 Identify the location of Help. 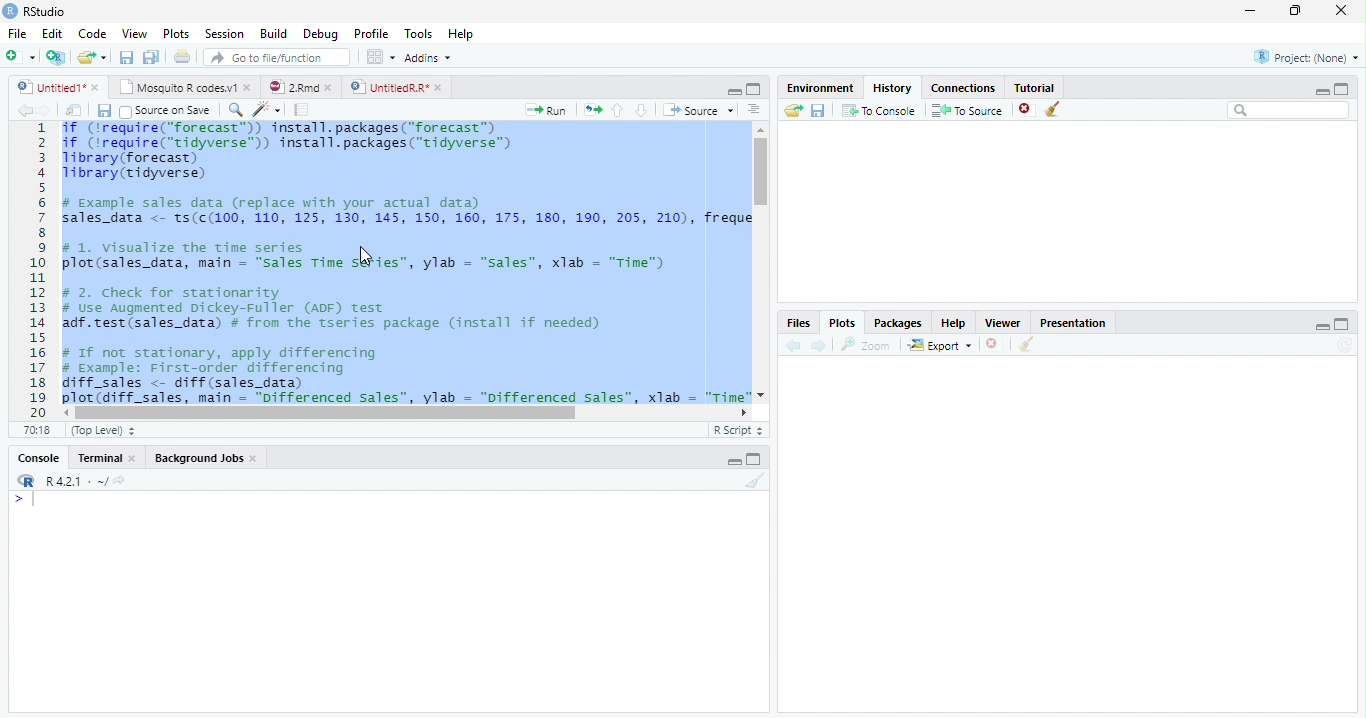
(460, 33).